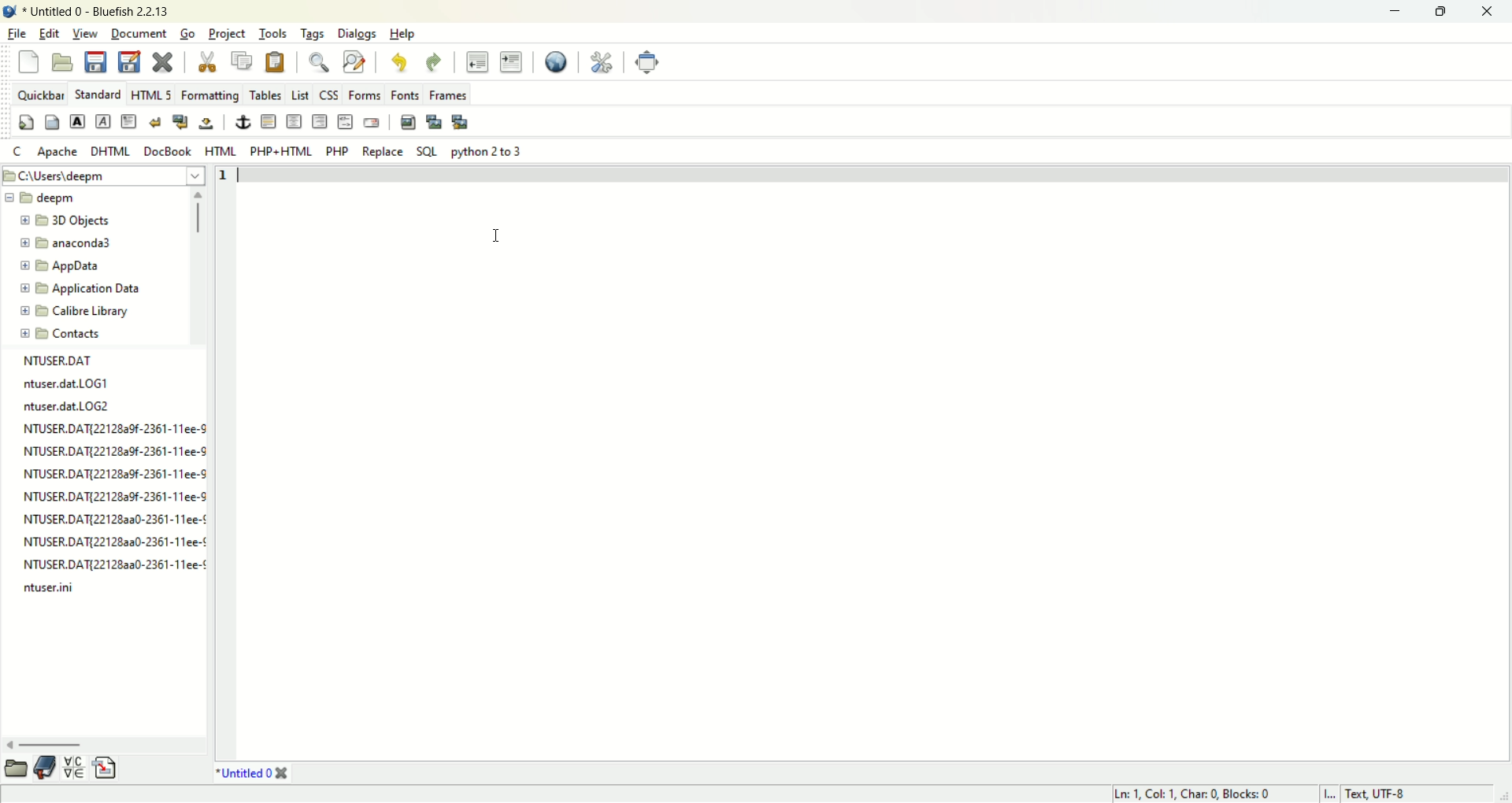  Describe the element at coordinates (39, 199) in the screenshot. I see `deepm` at that location.